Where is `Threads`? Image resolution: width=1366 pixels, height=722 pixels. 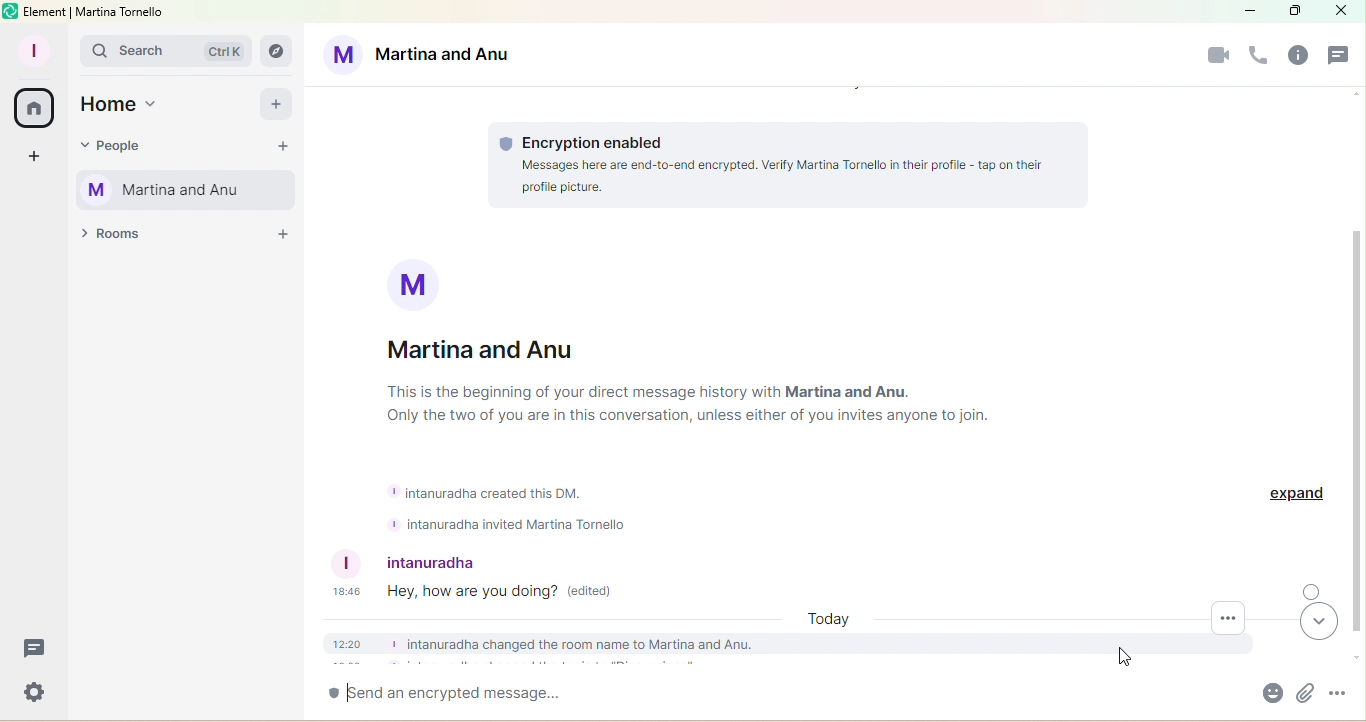
Threads is located at coordinates (34, 649).